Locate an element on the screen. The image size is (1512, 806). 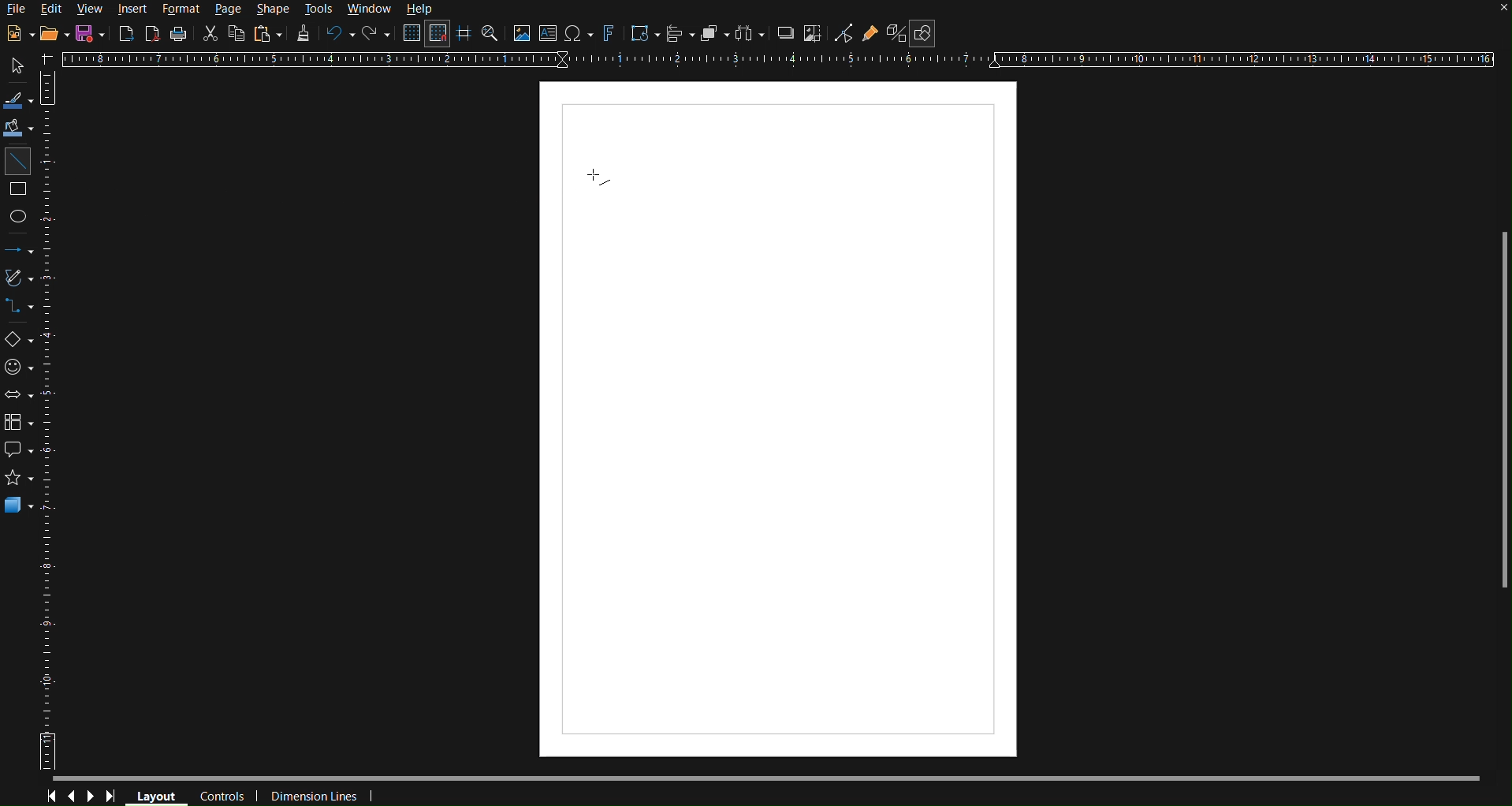
Layout is located at coordinates (158, 796).